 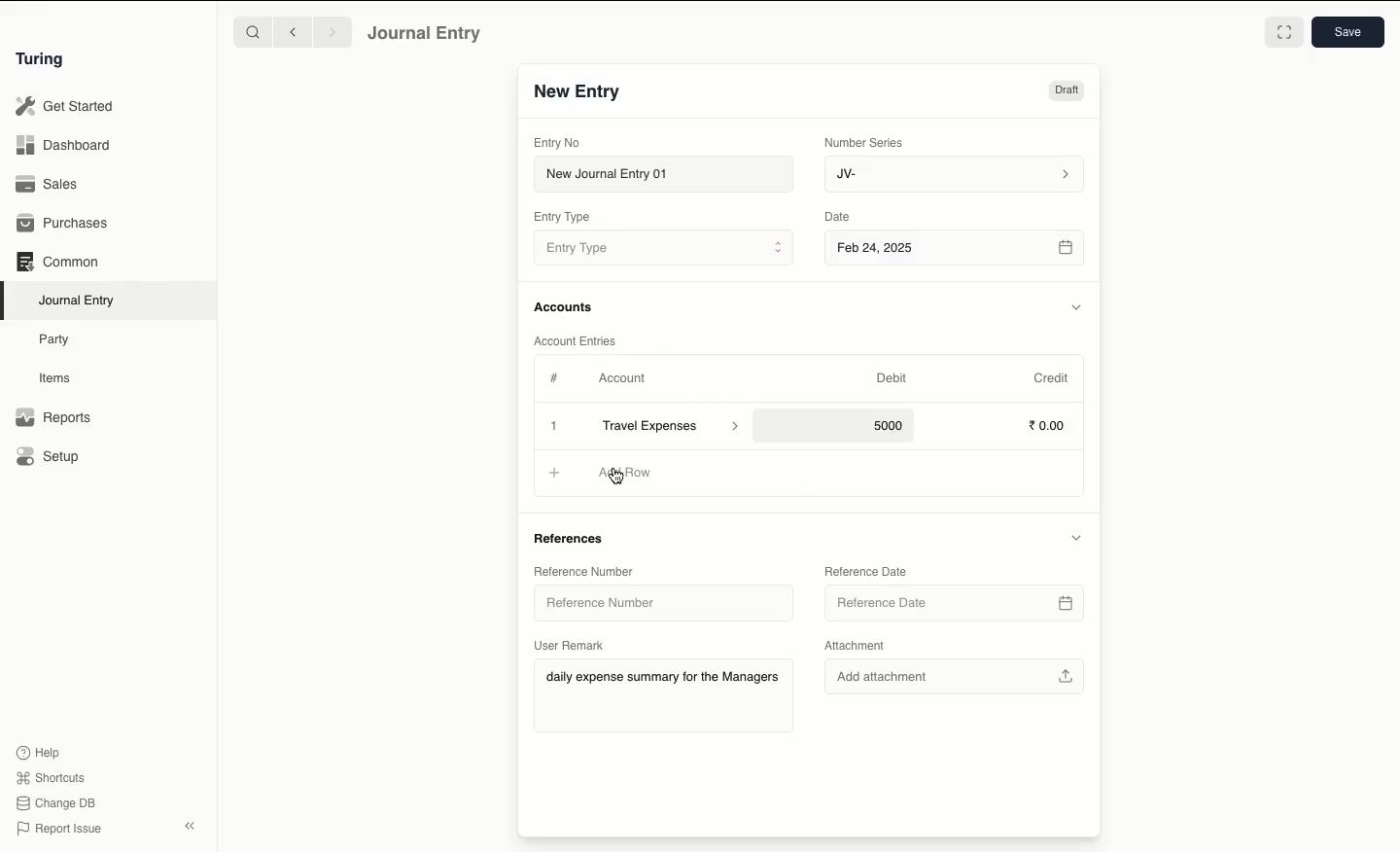 What do you see at coordinates (50, 184) in the screenshot?
I see `Sales` at bounding box center [50, 184].